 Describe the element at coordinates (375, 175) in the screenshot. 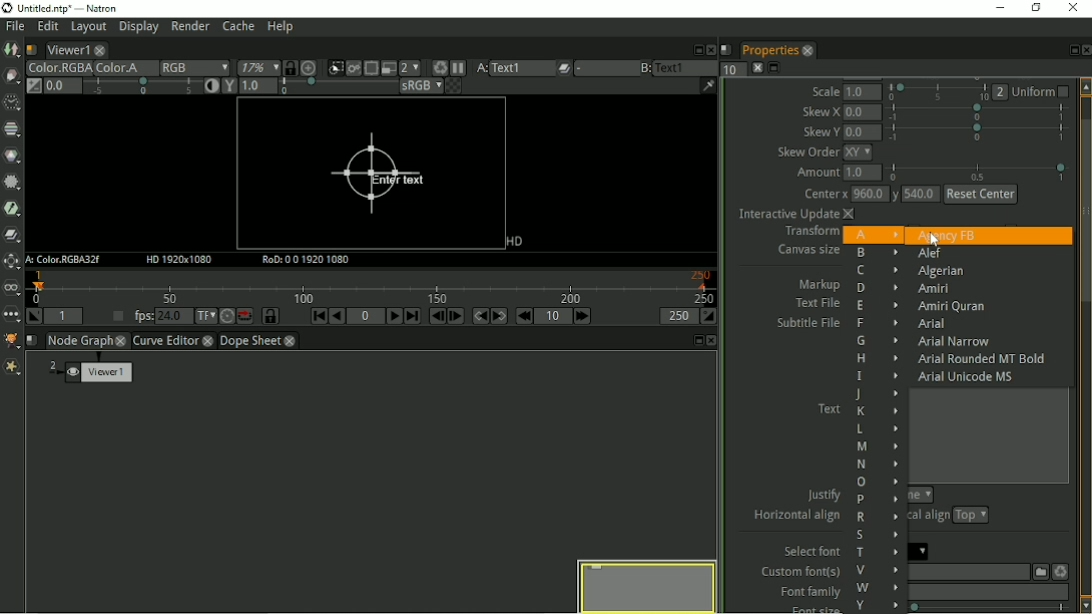

I see `Enter text` at that location.